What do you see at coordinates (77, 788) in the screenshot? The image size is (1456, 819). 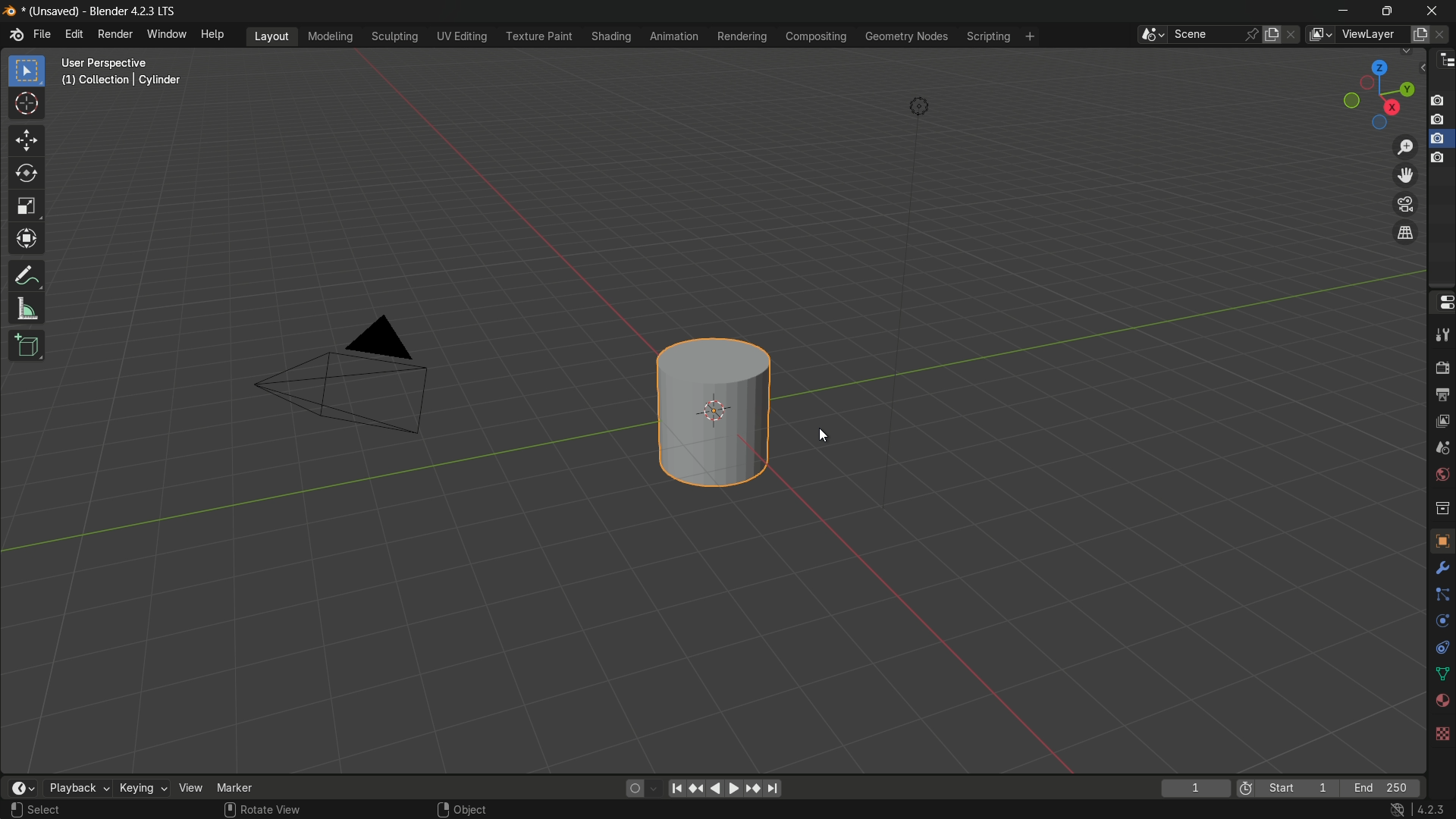 I see `playback` at bounding box center [77, 788].